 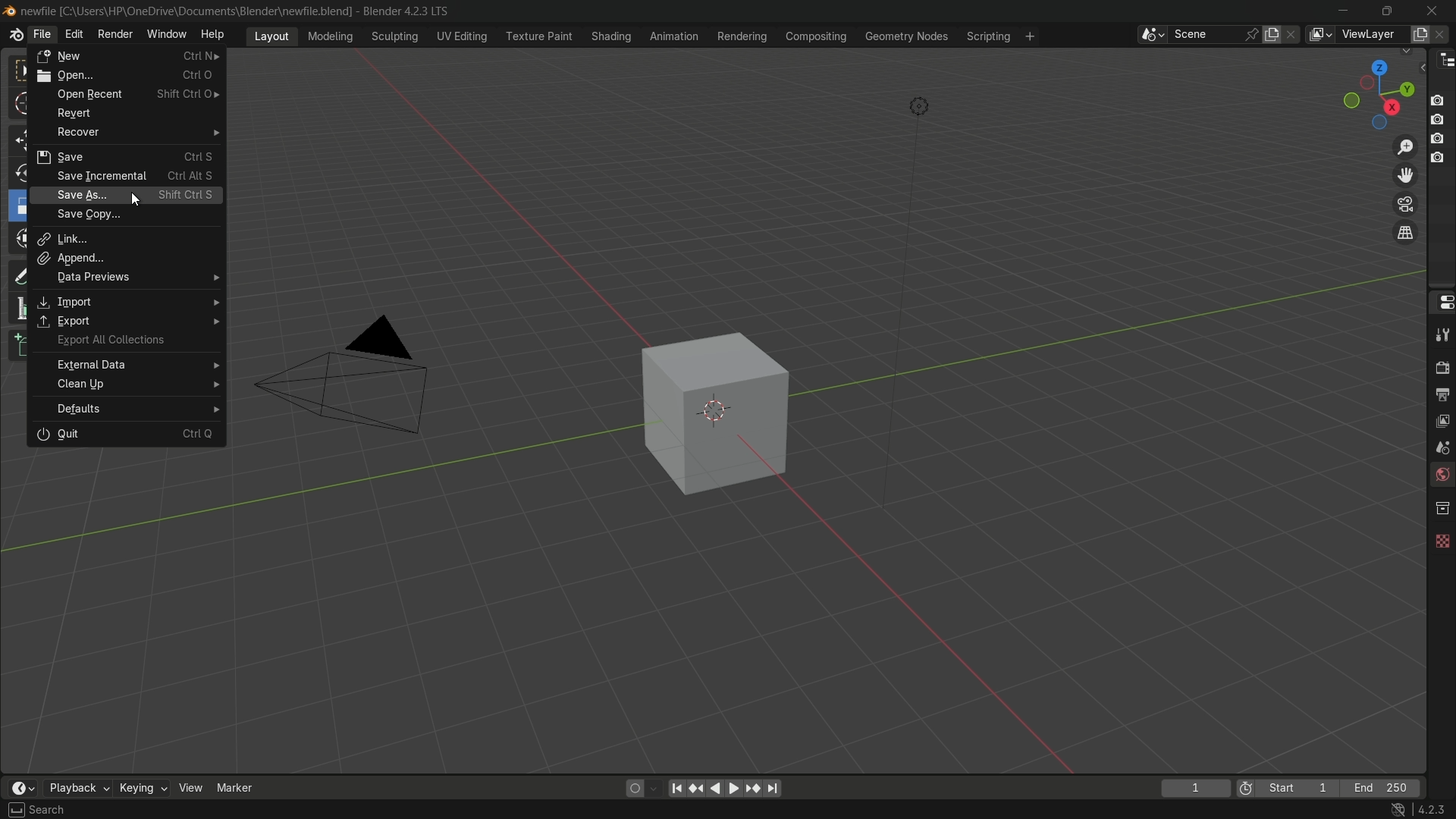 What do you see at coordinates (1293, 34) in the screenshot?
I see `delete scene` at bounding box center [1293, 34].